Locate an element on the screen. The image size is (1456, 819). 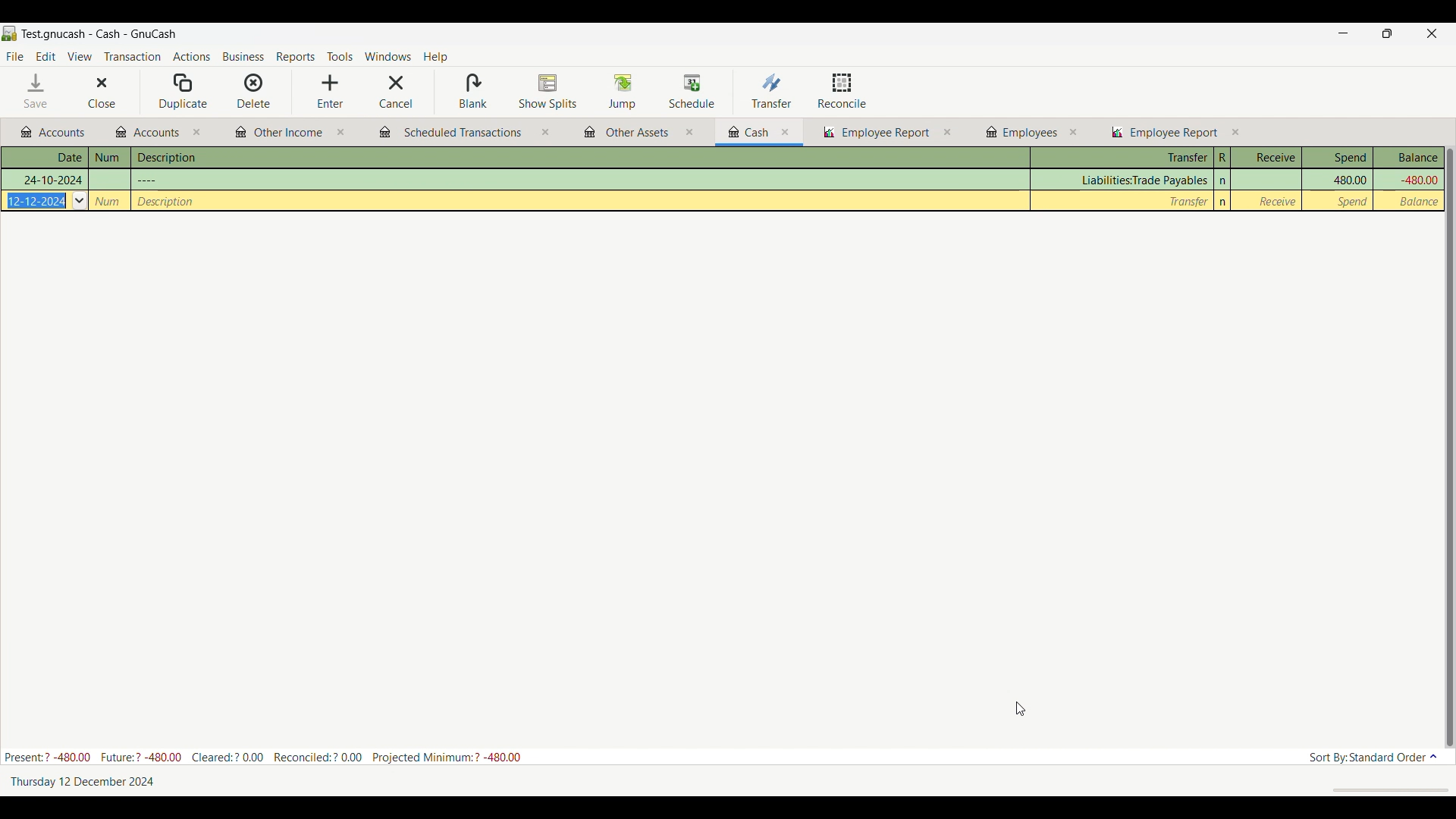
close is located at coordinates (1074, 132).